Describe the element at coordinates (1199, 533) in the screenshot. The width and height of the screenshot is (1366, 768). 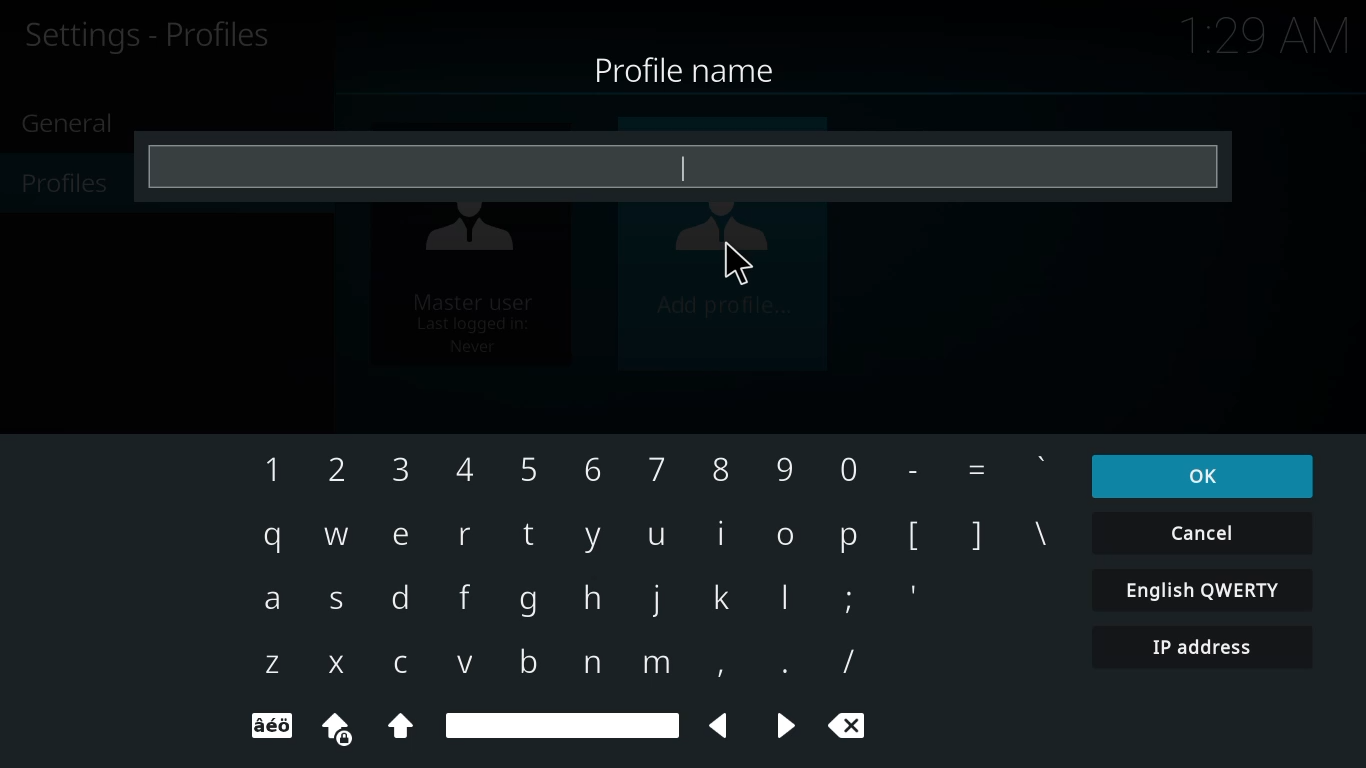
I see `cancel` at that location.